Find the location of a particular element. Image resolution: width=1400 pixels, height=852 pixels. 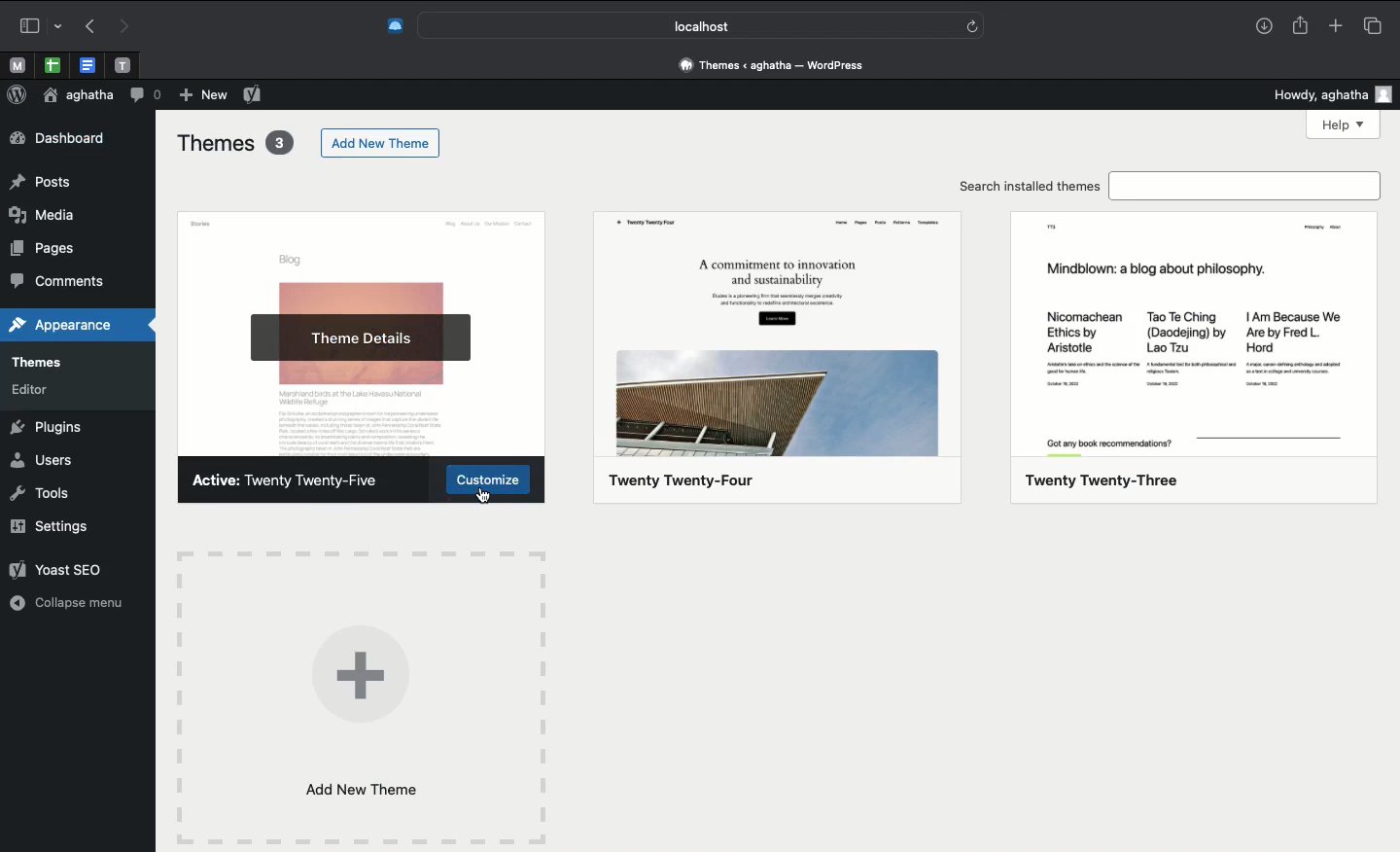

twenty twenty-four is located at coordinates (785, 357).